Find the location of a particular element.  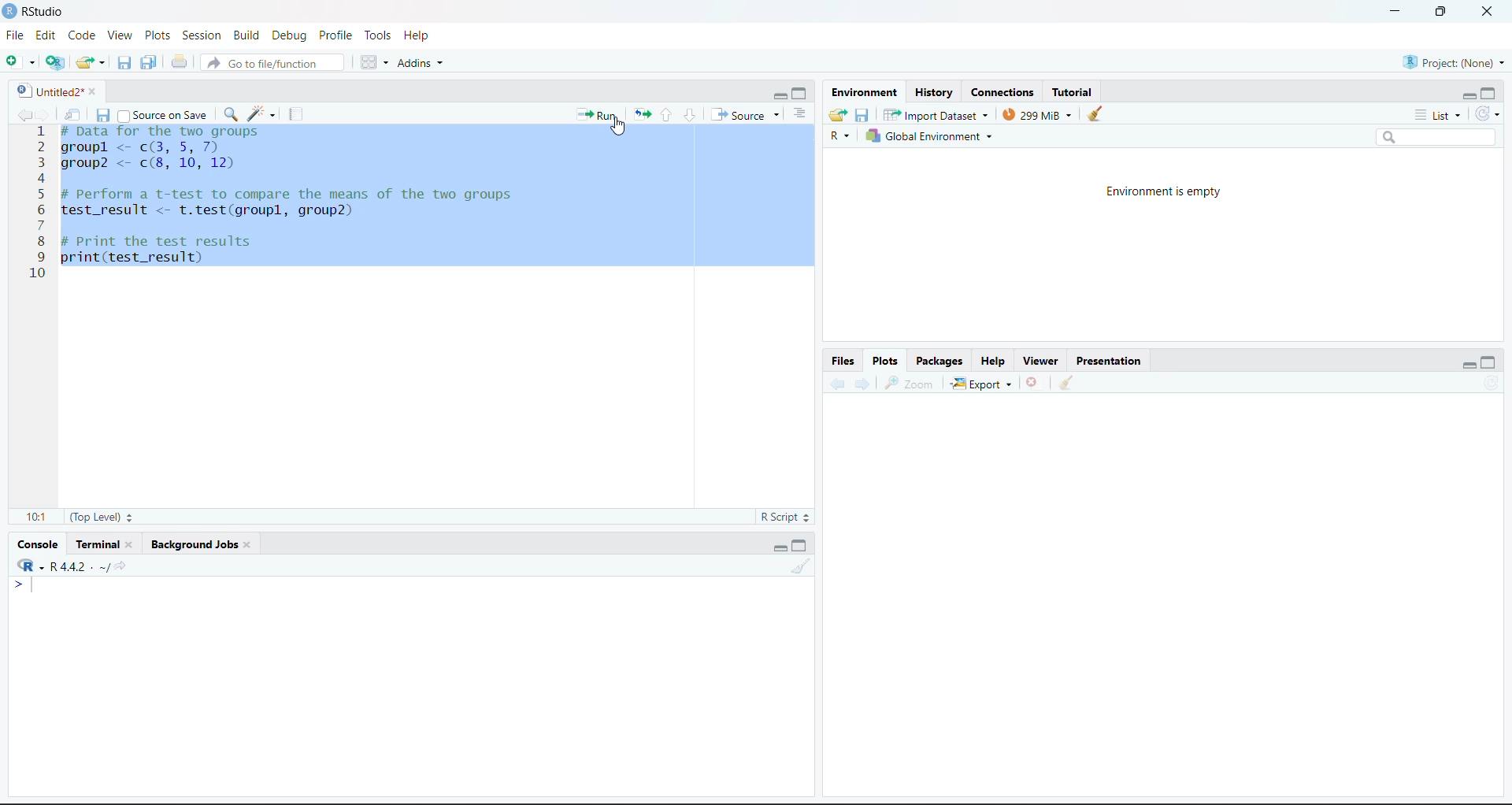

Plots is located at coordinates (157, 35).